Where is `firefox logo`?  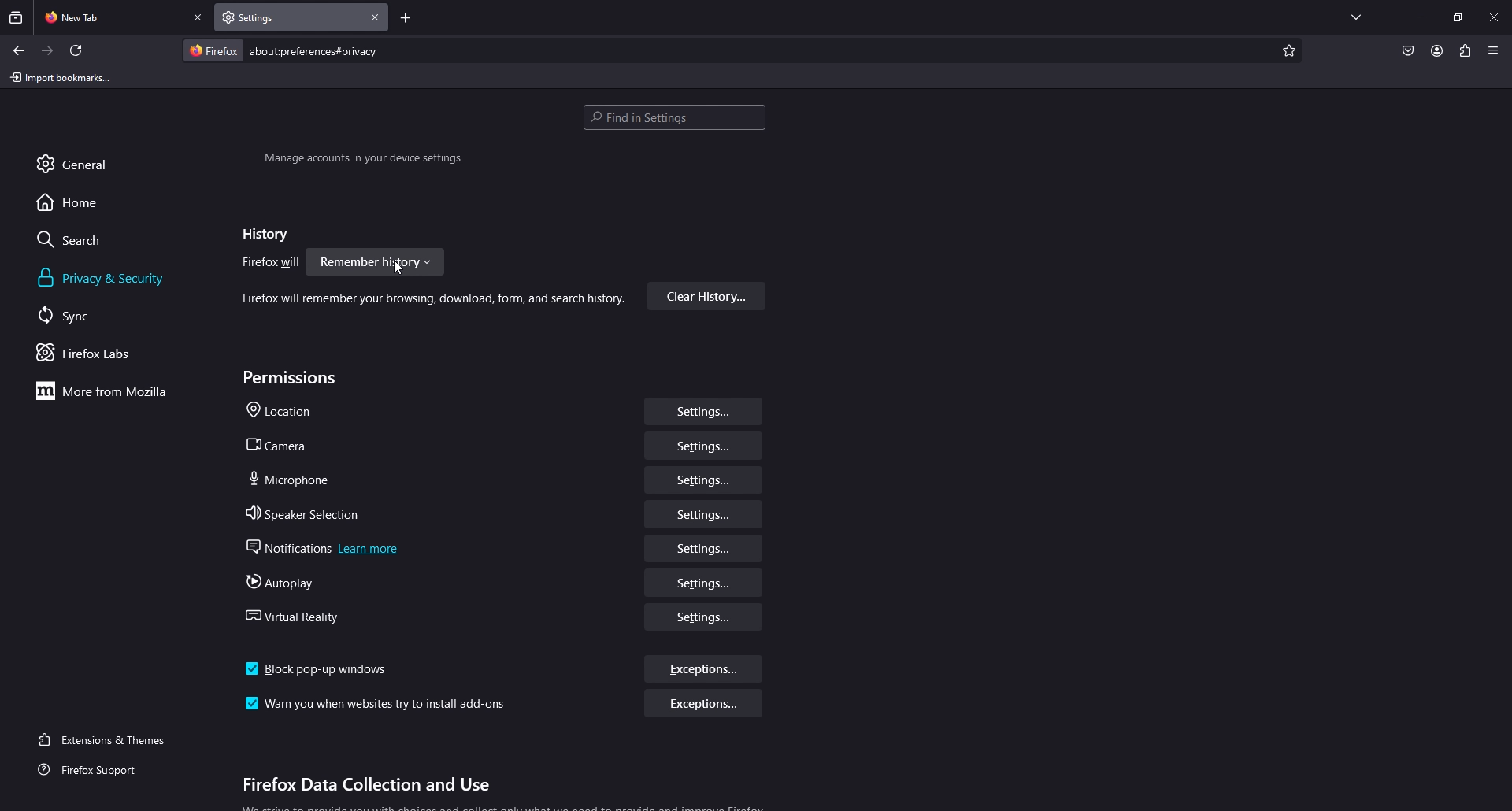 firefox logo is located at coordinates (213, 50).